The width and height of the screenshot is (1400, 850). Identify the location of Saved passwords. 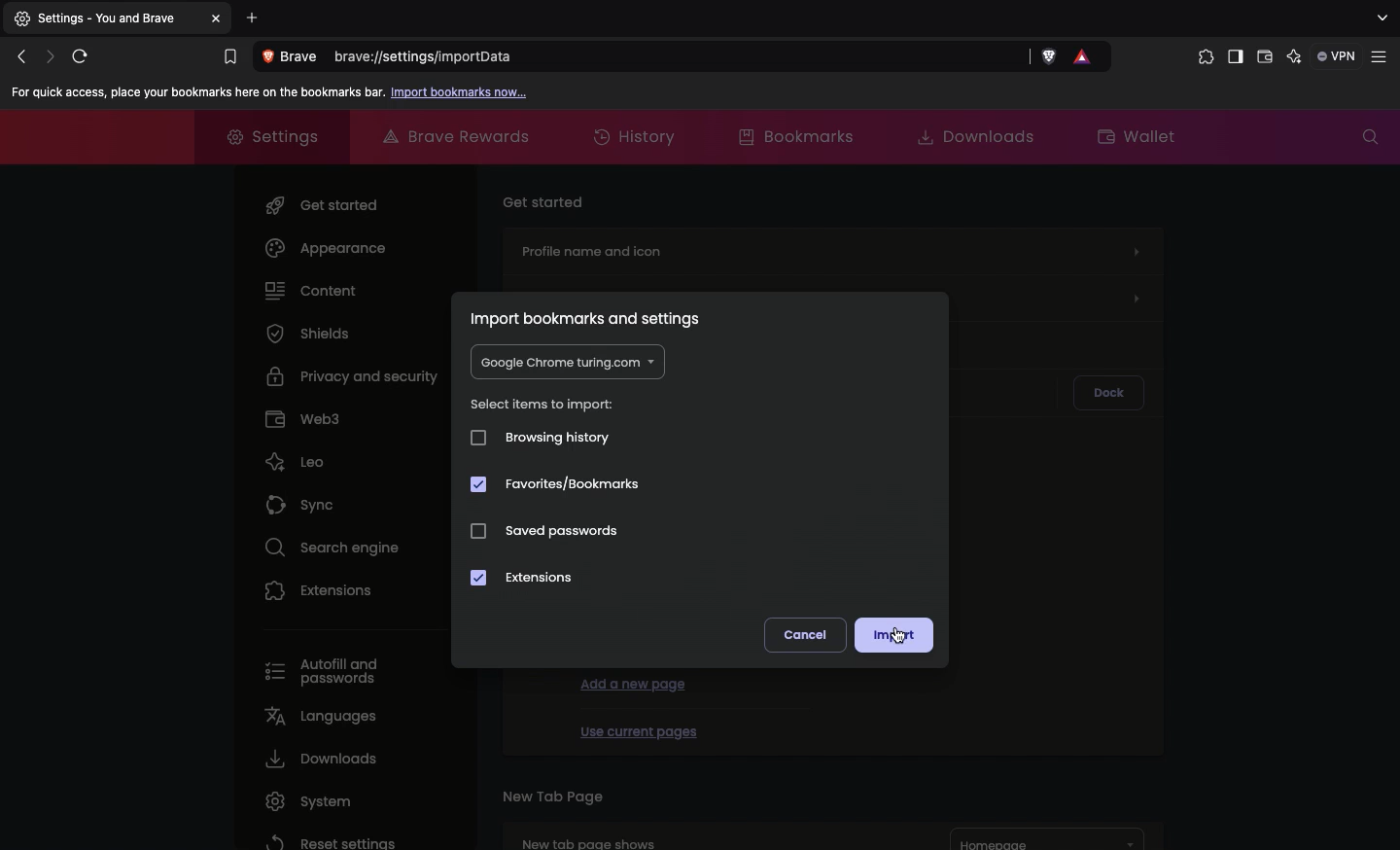
(562, 531).